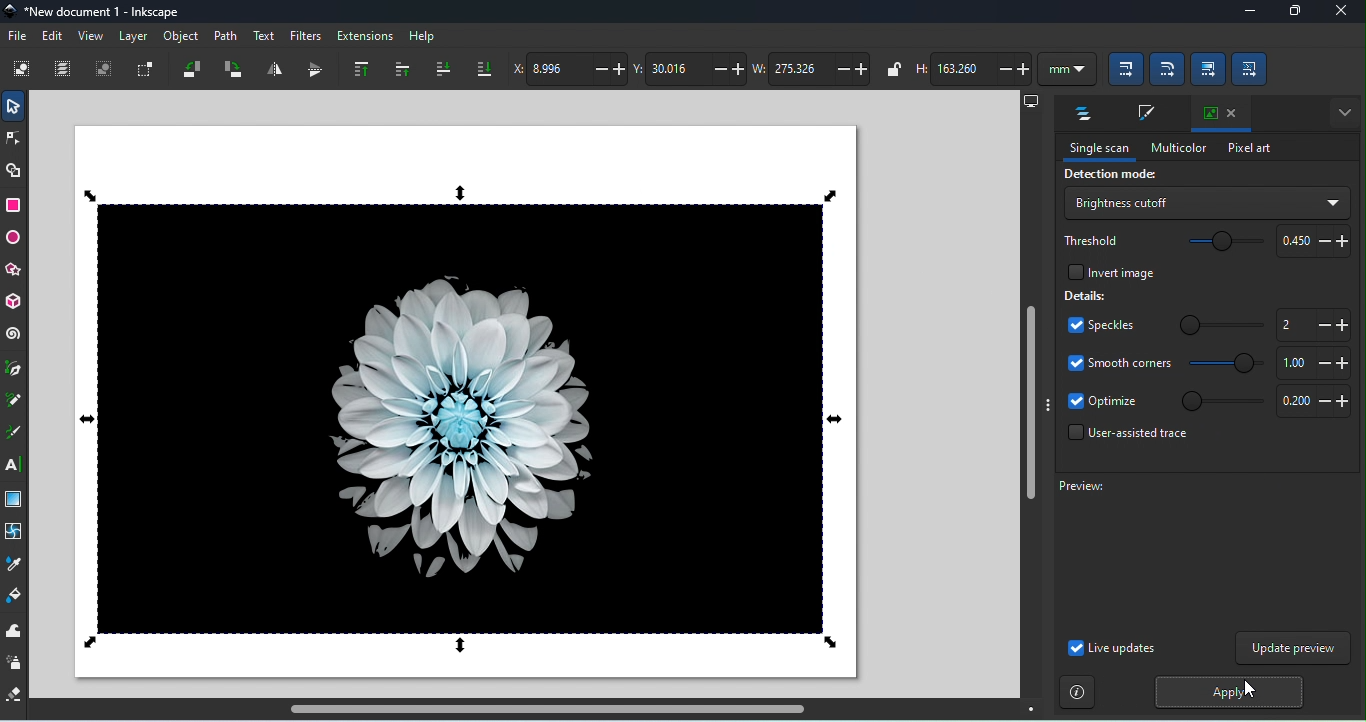 The height and width of the screenshot is (722, 1366). I want to click on Single scan, so click(1098, 150).